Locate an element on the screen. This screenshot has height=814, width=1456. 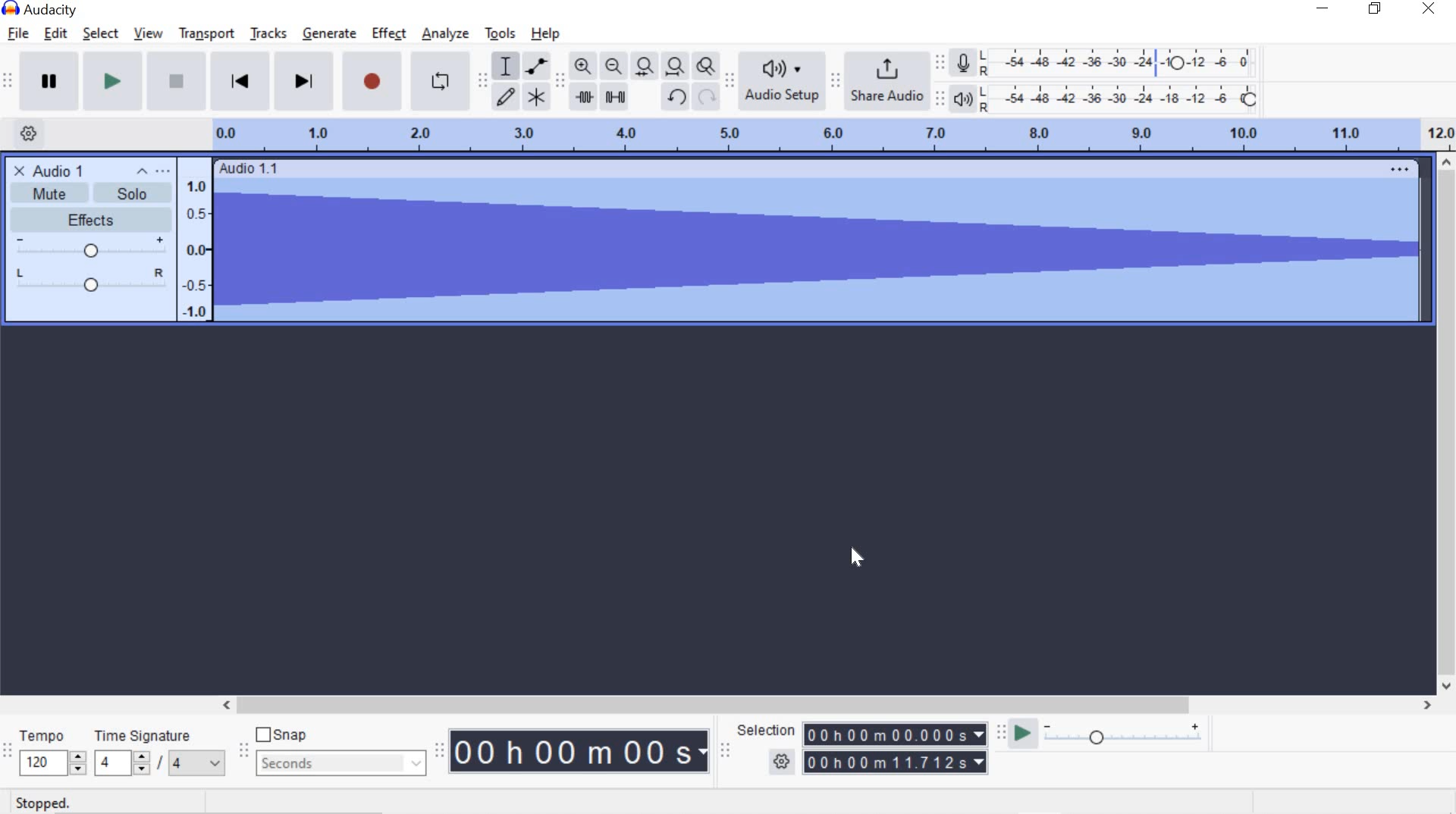
 is located at coordinates (765, 731).